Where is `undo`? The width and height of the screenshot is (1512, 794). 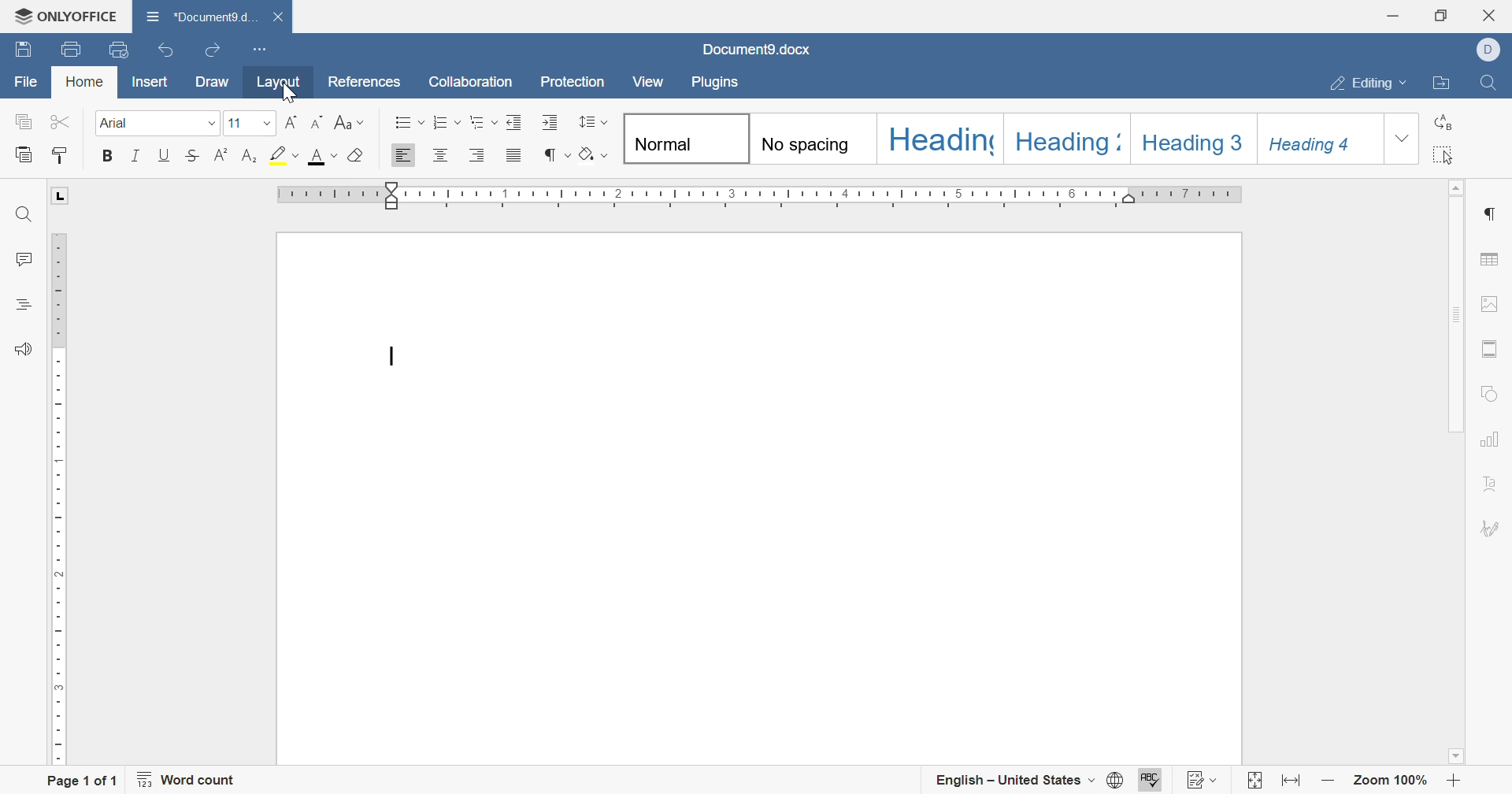
undo is located at coordinates (171, 52).